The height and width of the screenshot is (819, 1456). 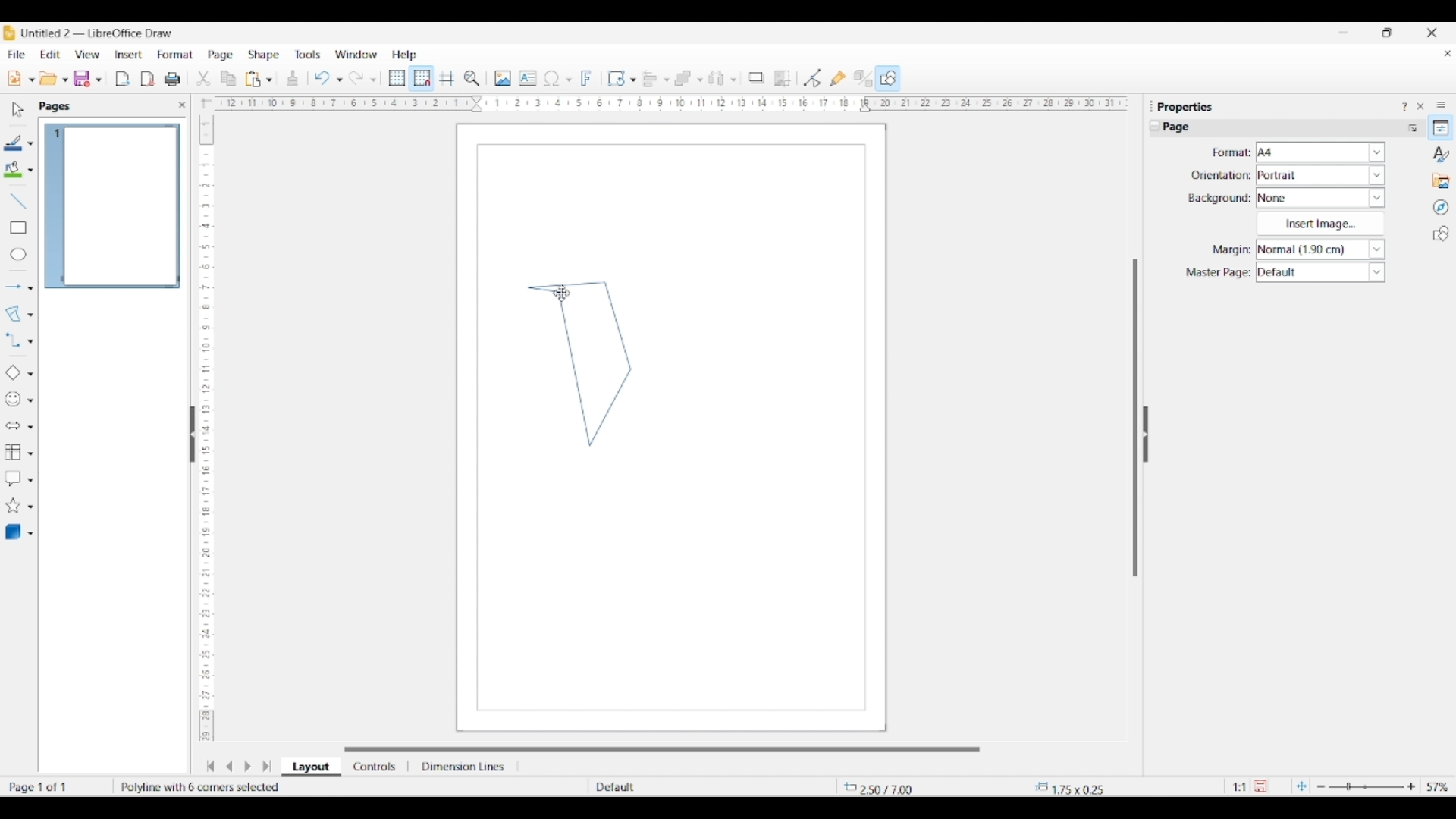 I want to click on Section title - Properties, so click(x=1187, y=106).